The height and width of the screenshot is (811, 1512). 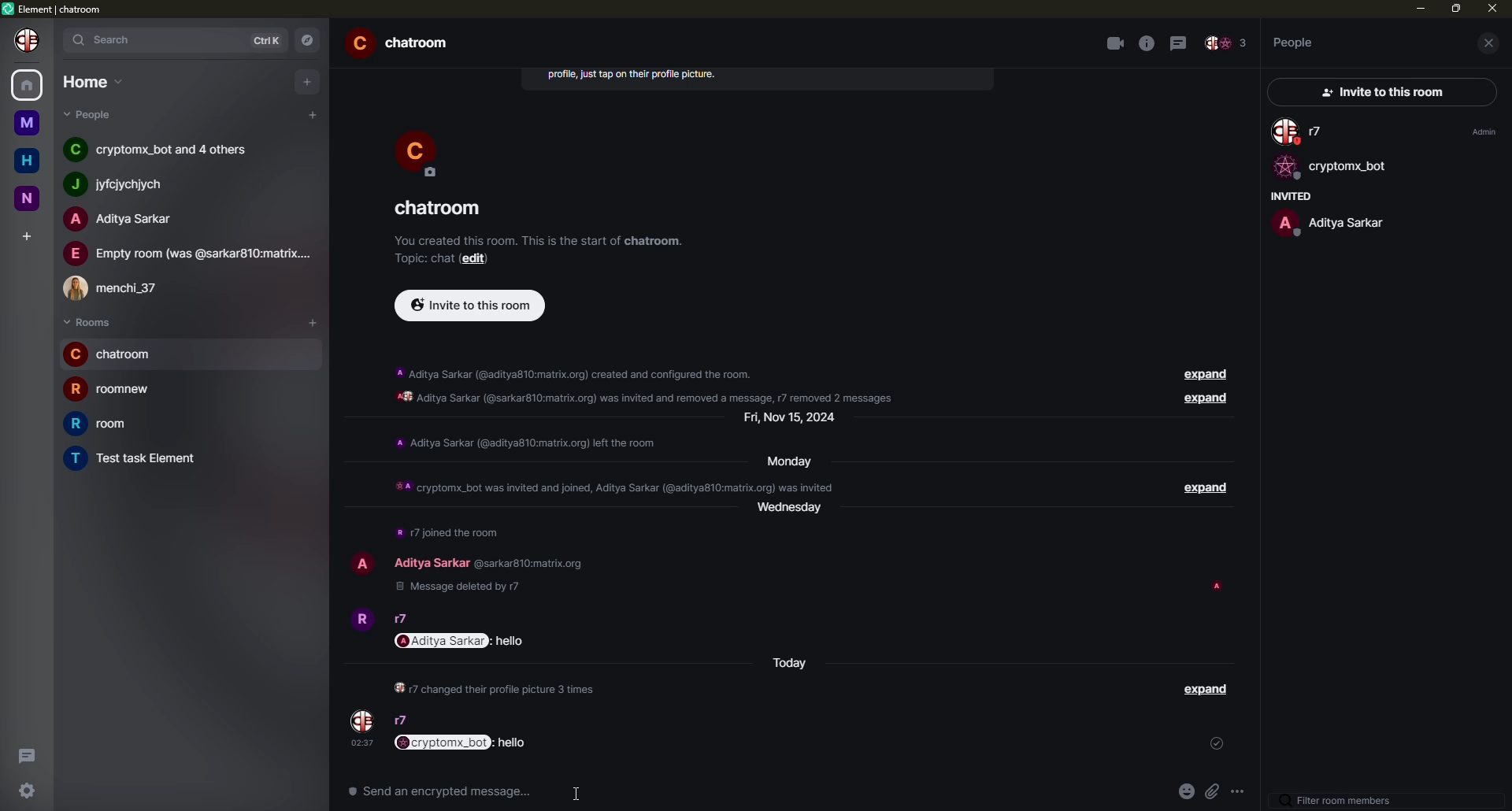 I want to click on admin, so click(x=1481, y=131).